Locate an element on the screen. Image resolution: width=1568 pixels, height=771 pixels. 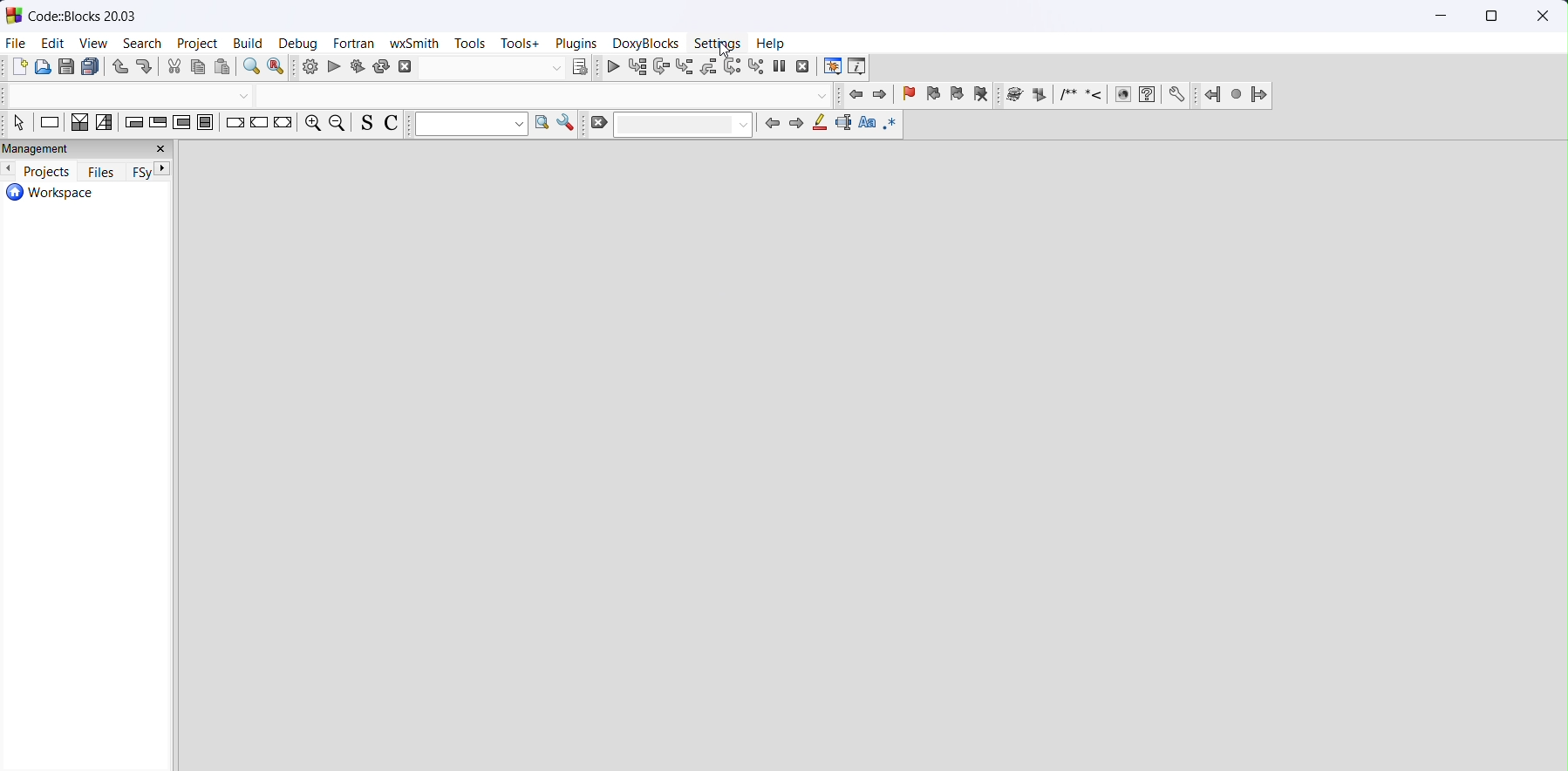
next  is located at coordinates (163, 168).